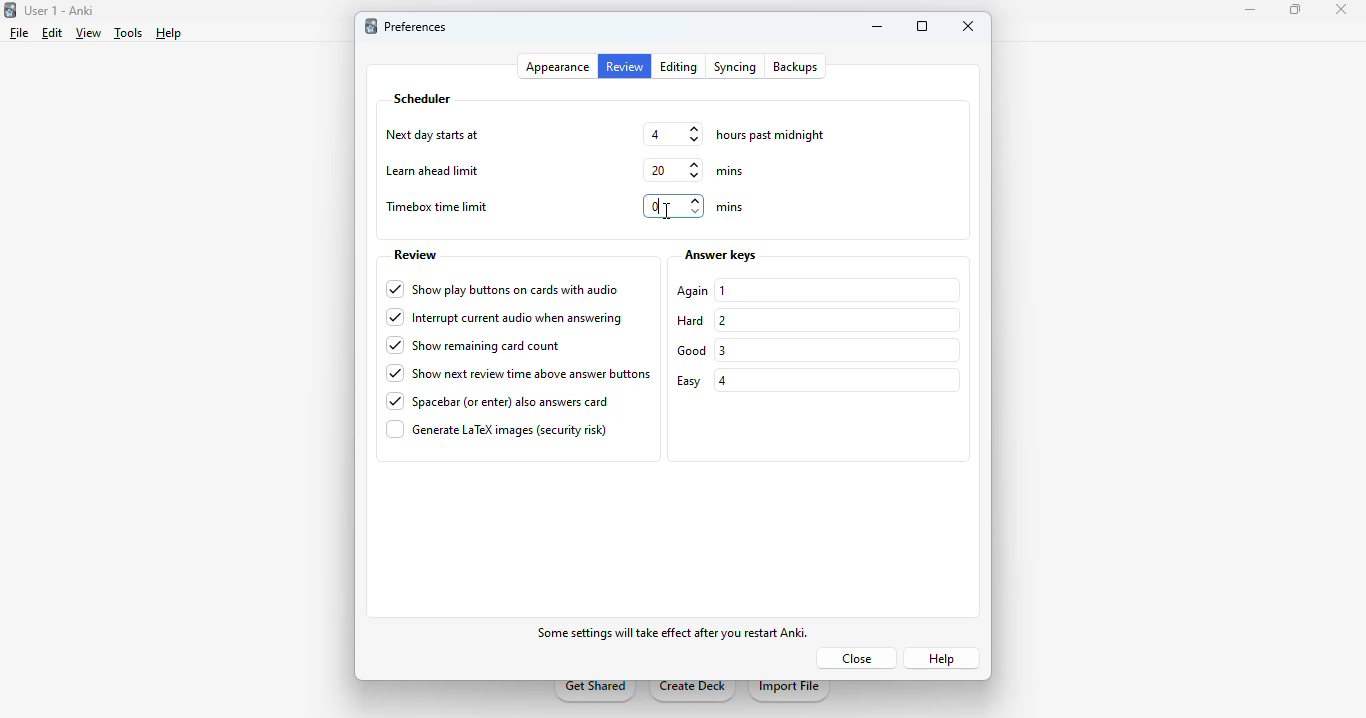 This screenshot has width=1366, height=718. What do you see at coordinates (626, 67) in the screenshot?
I see `review` at bounding box center [626, 67].